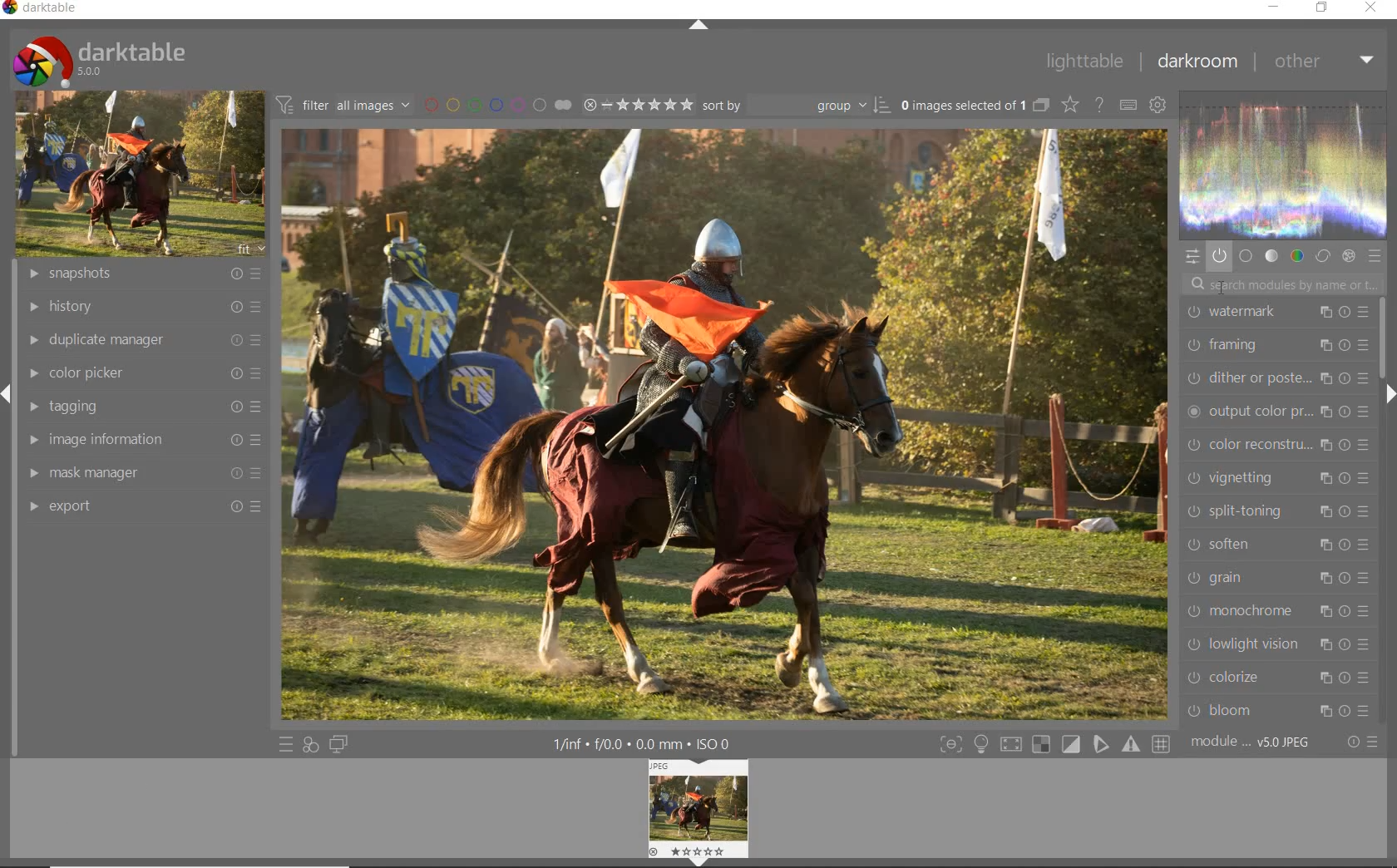  I want to click on framing, so click(1275, 344).